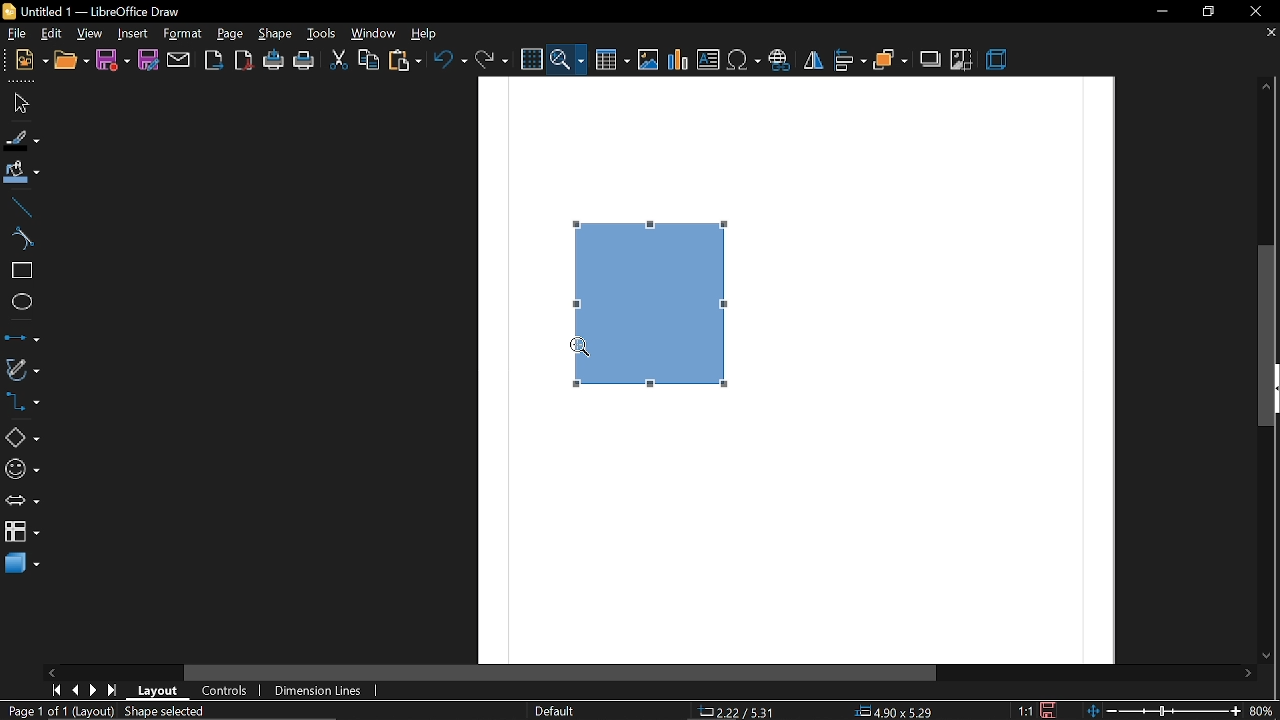 The width and height of the screenshot is (1280, 720). What do you see at coordinates (58, 691) in the screenshot?
I see `go to first page` at bounding box center [58, 691].